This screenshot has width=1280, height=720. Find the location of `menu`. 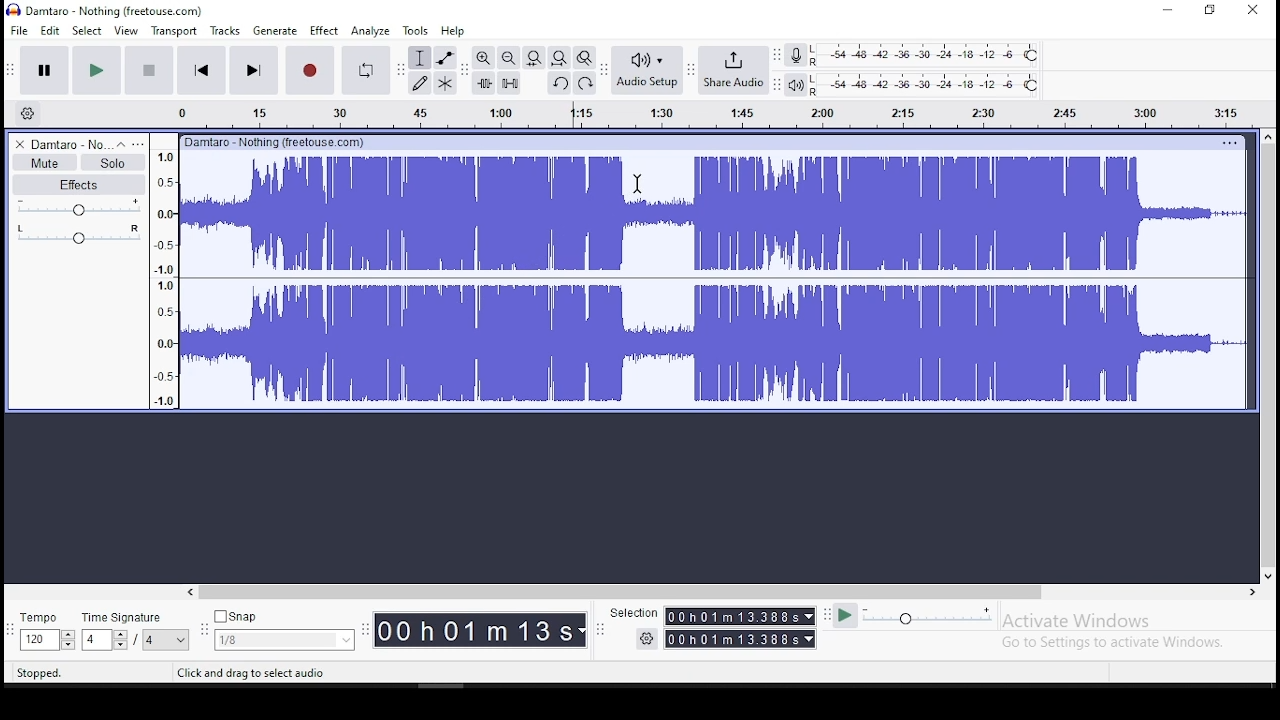

menu is located at coordinates (285, 640).